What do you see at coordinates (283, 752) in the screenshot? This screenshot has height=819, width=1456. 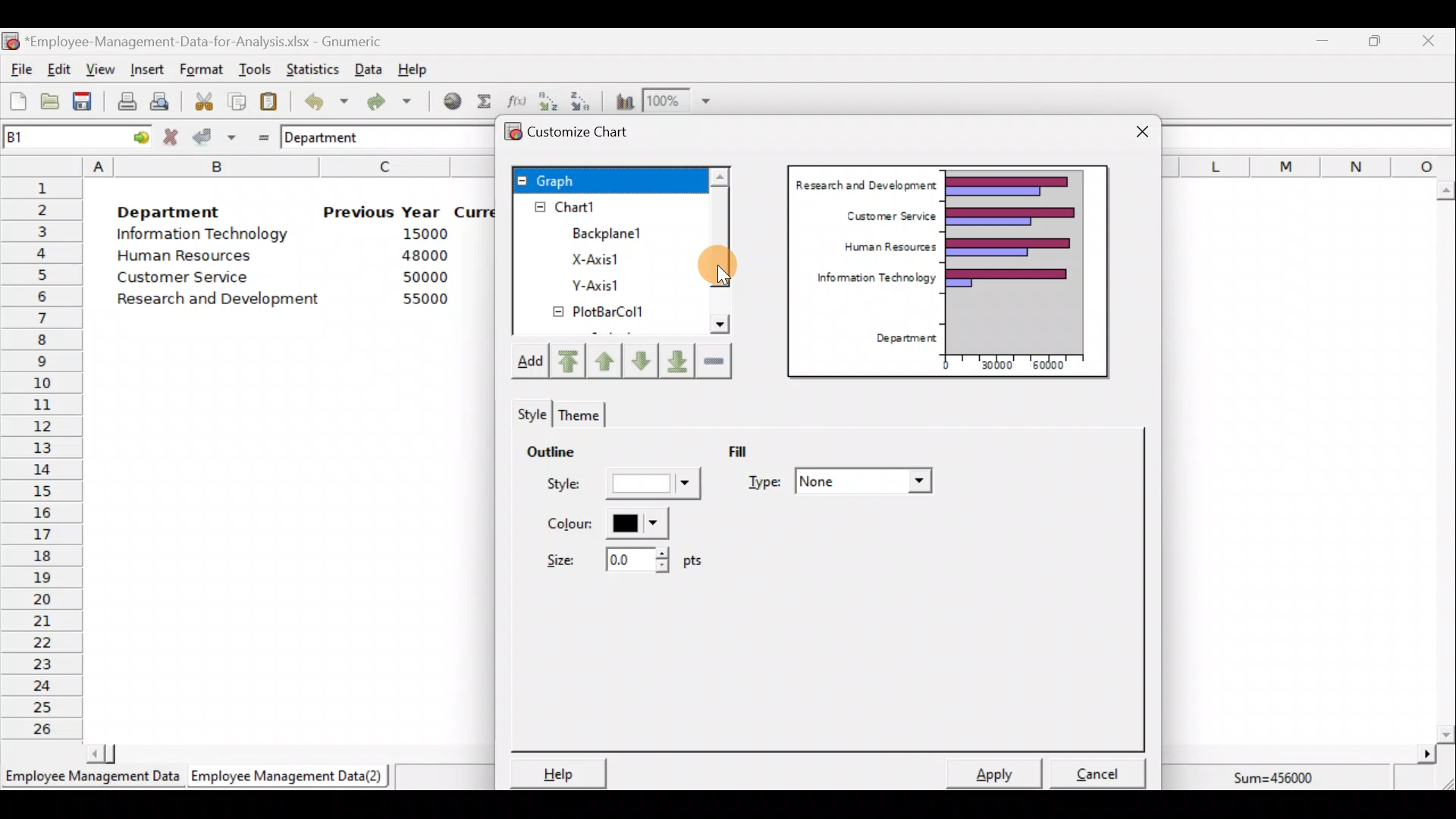 I see `Scroll bar` at bounding box center [283, 752].